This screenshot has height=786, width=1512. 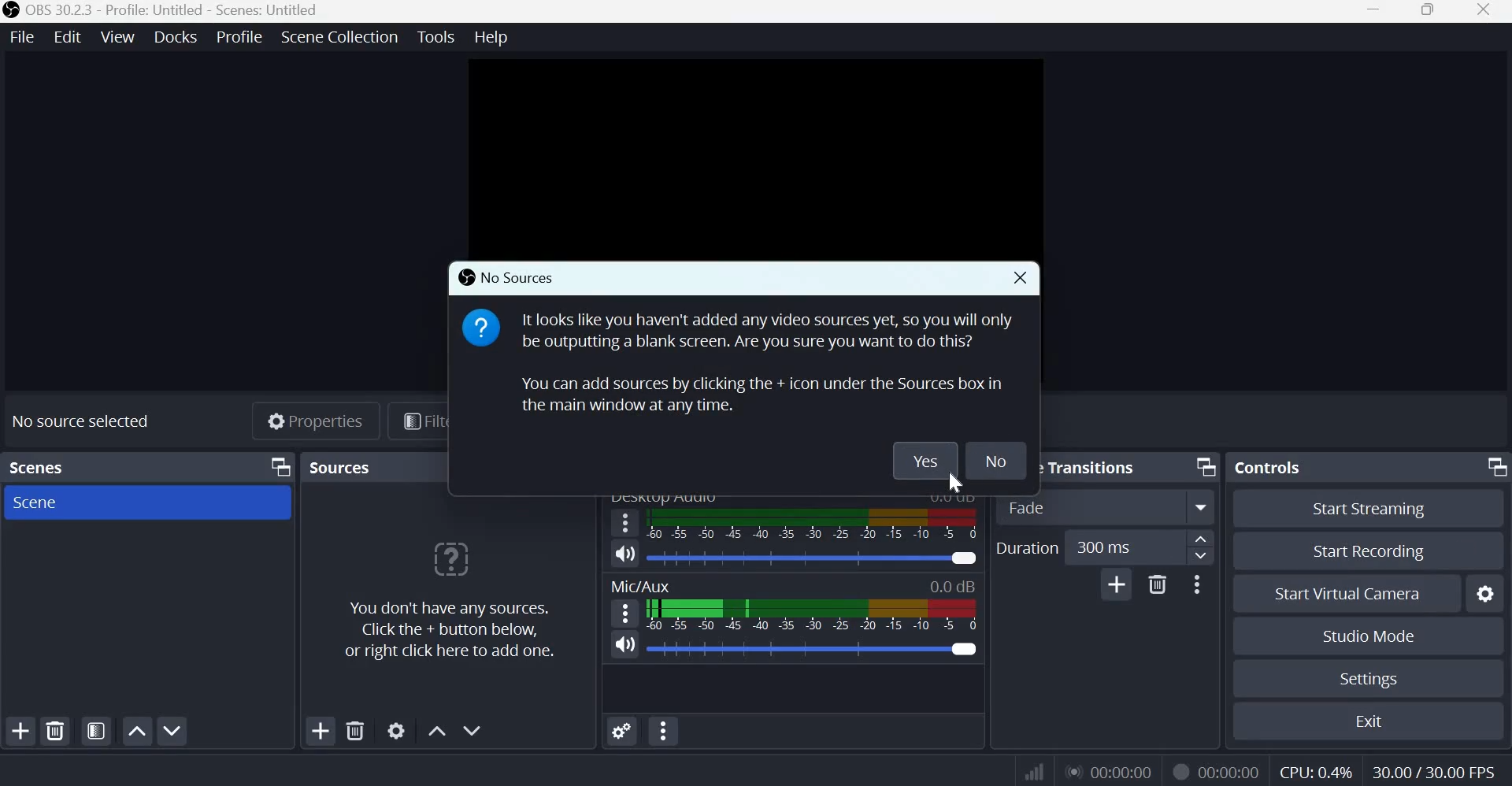 I want to click on Edit, so click(x=66, y=38).